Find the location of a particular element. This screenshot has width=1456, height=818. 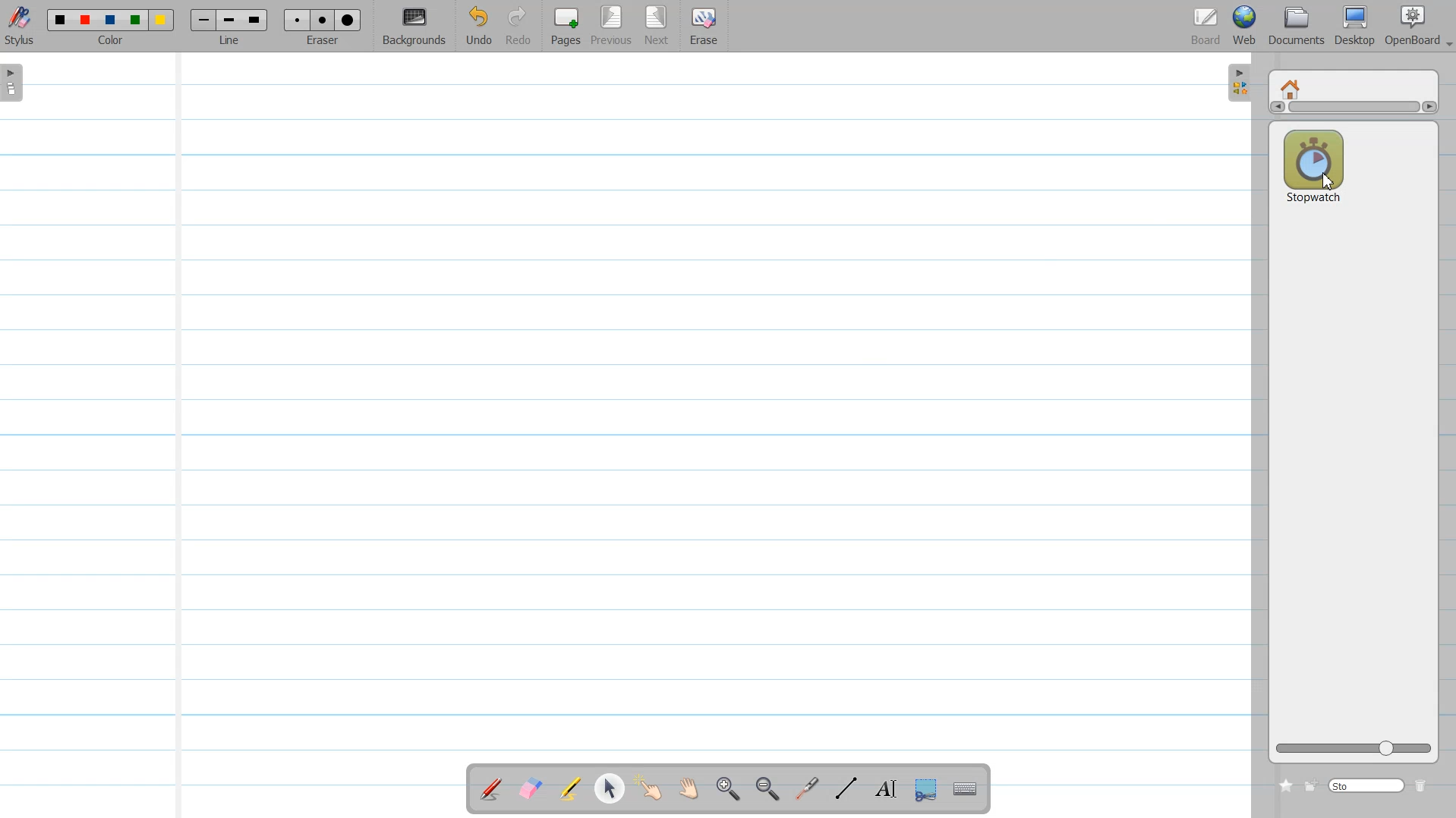

Stop watch is located at coordinates (1313, 165).